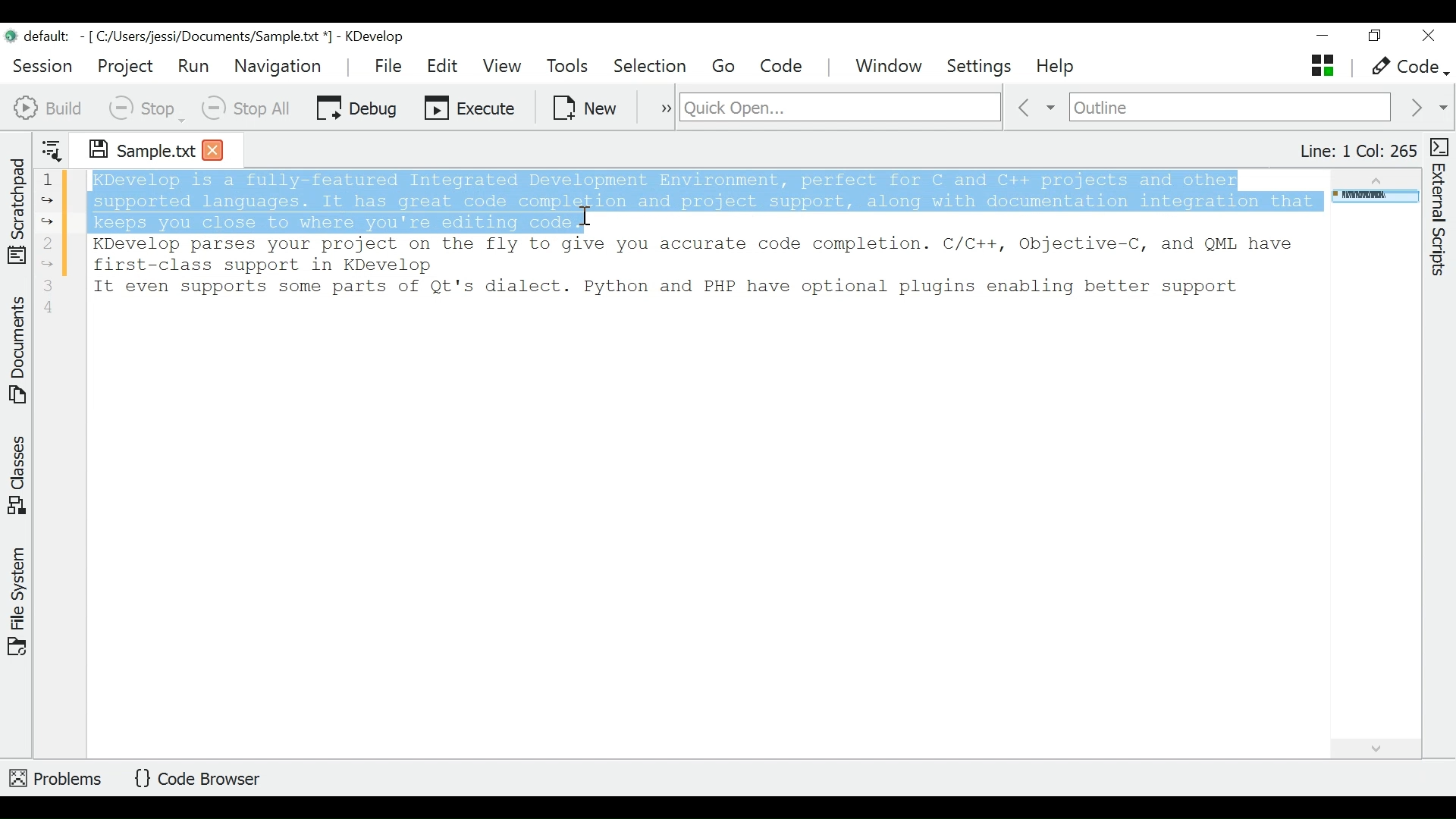 The image size is (1456, 819). I want to click on Close, so click(1427, 36).